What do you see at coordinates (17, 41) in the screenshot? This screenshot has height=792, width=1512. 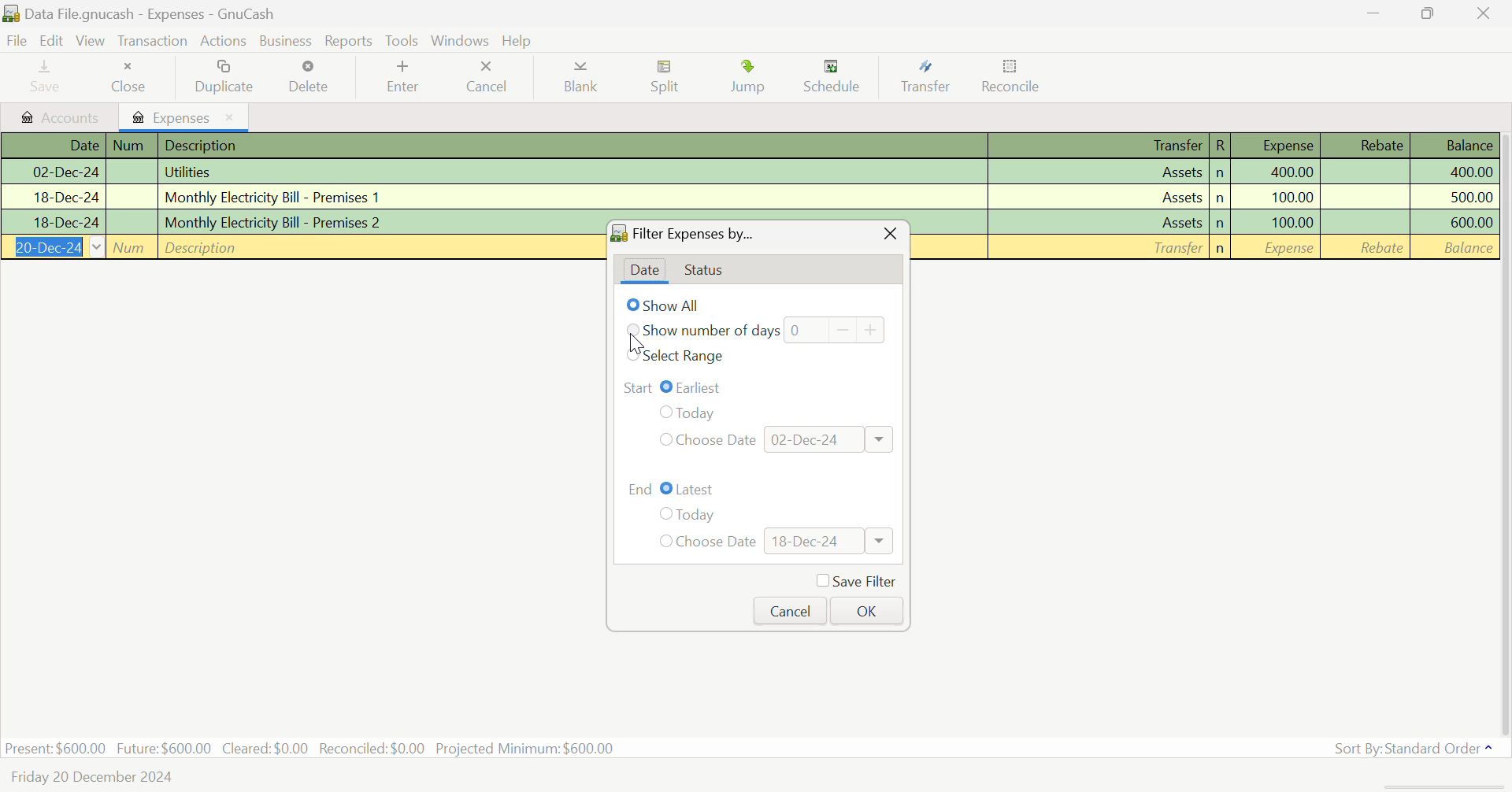 I see `File` at bounding box center [17, 41].